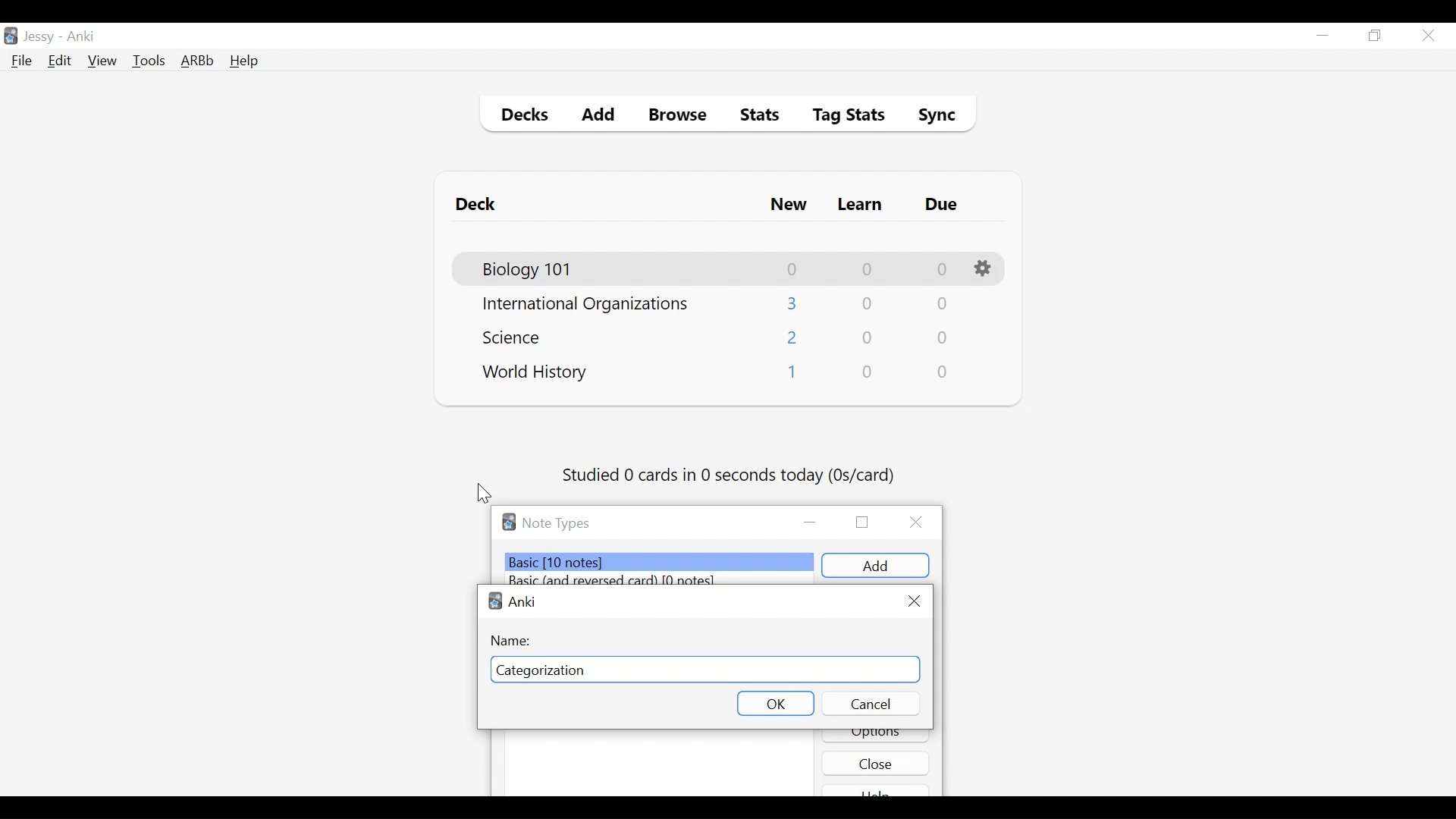 The image size is (1456, 819). What do you see at coordinates (913, 601) in the screenshot?
I see `Close` at bounding box center [913, 601].